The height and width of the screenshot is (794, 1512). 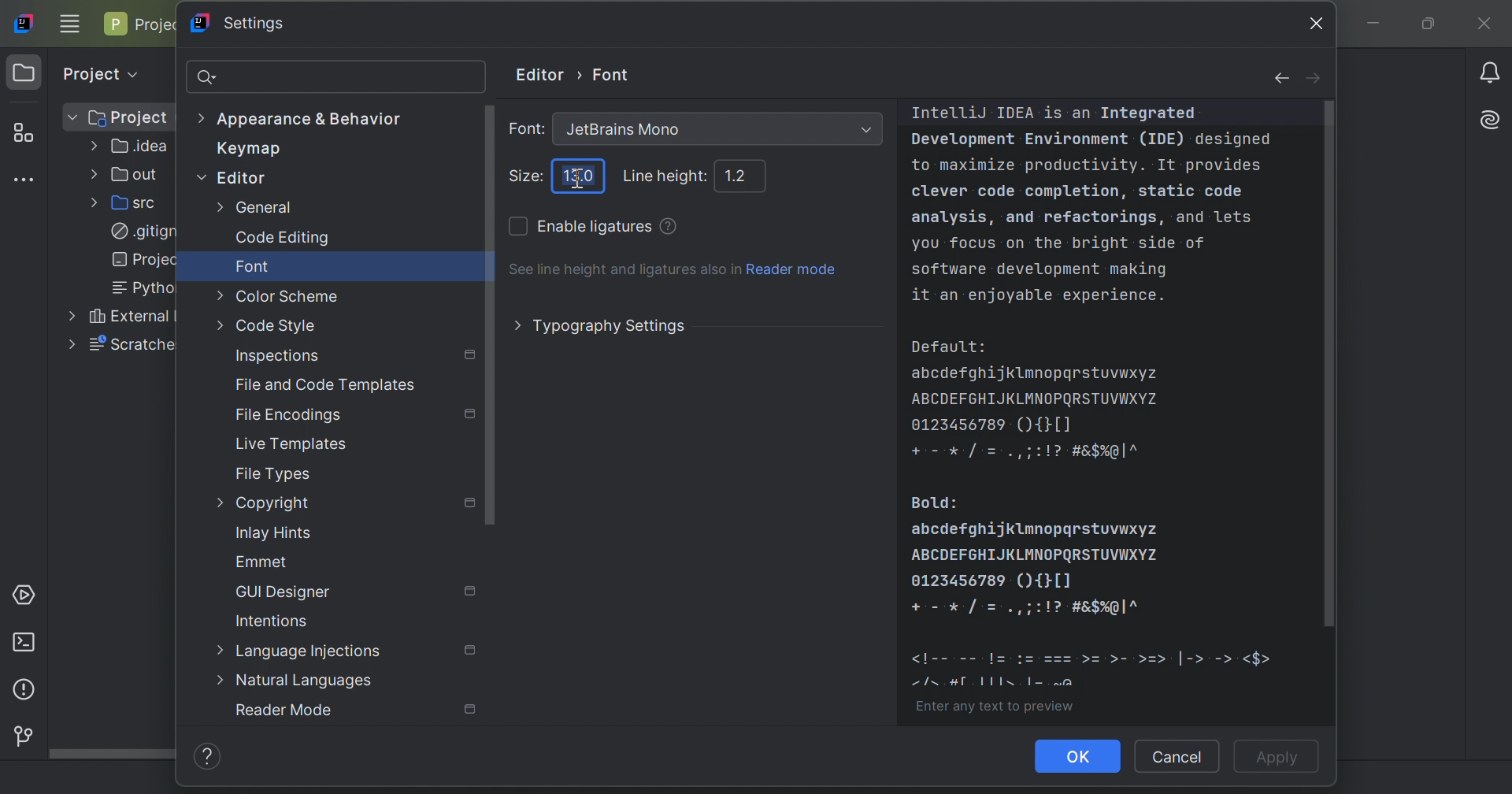 What do you see at coordinates (1078, 756) in the screenshot?
I see `OK` at bounding box center [1078, 756].